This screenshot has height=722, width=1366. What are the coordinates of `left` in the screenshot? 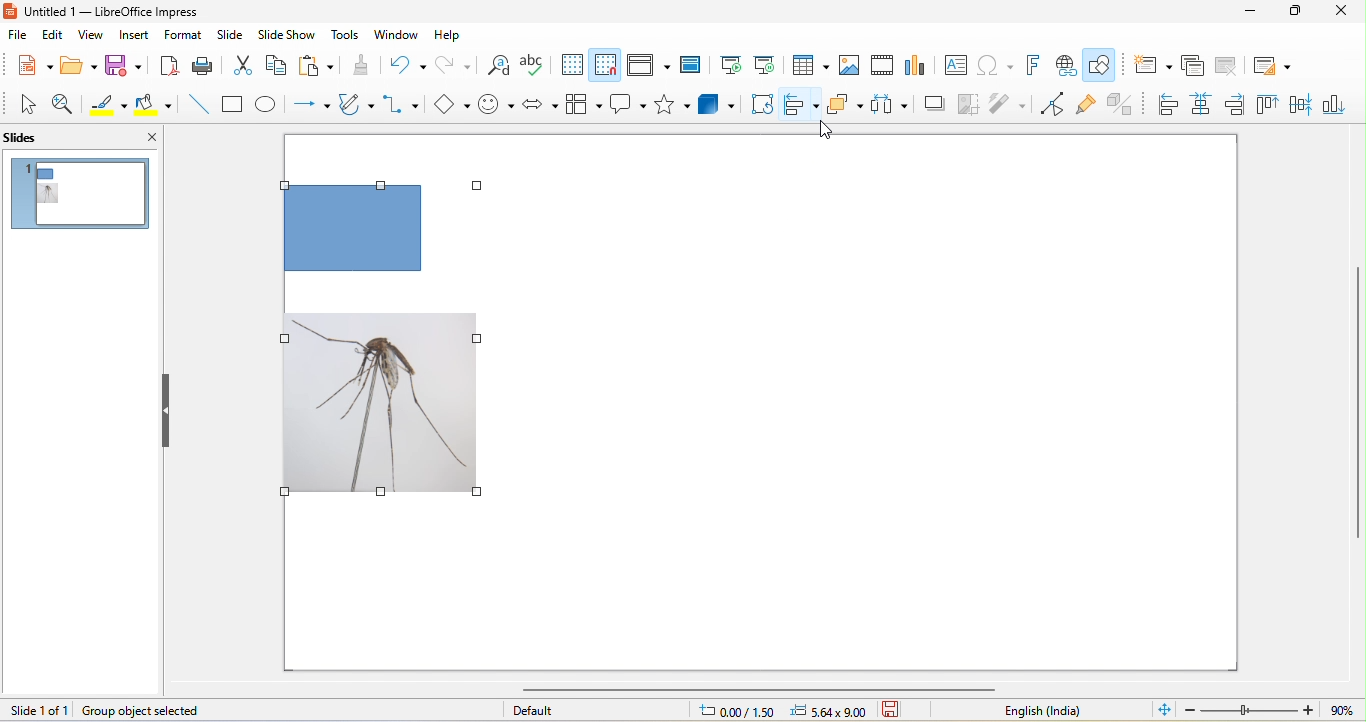 It's located at (1167, 106).